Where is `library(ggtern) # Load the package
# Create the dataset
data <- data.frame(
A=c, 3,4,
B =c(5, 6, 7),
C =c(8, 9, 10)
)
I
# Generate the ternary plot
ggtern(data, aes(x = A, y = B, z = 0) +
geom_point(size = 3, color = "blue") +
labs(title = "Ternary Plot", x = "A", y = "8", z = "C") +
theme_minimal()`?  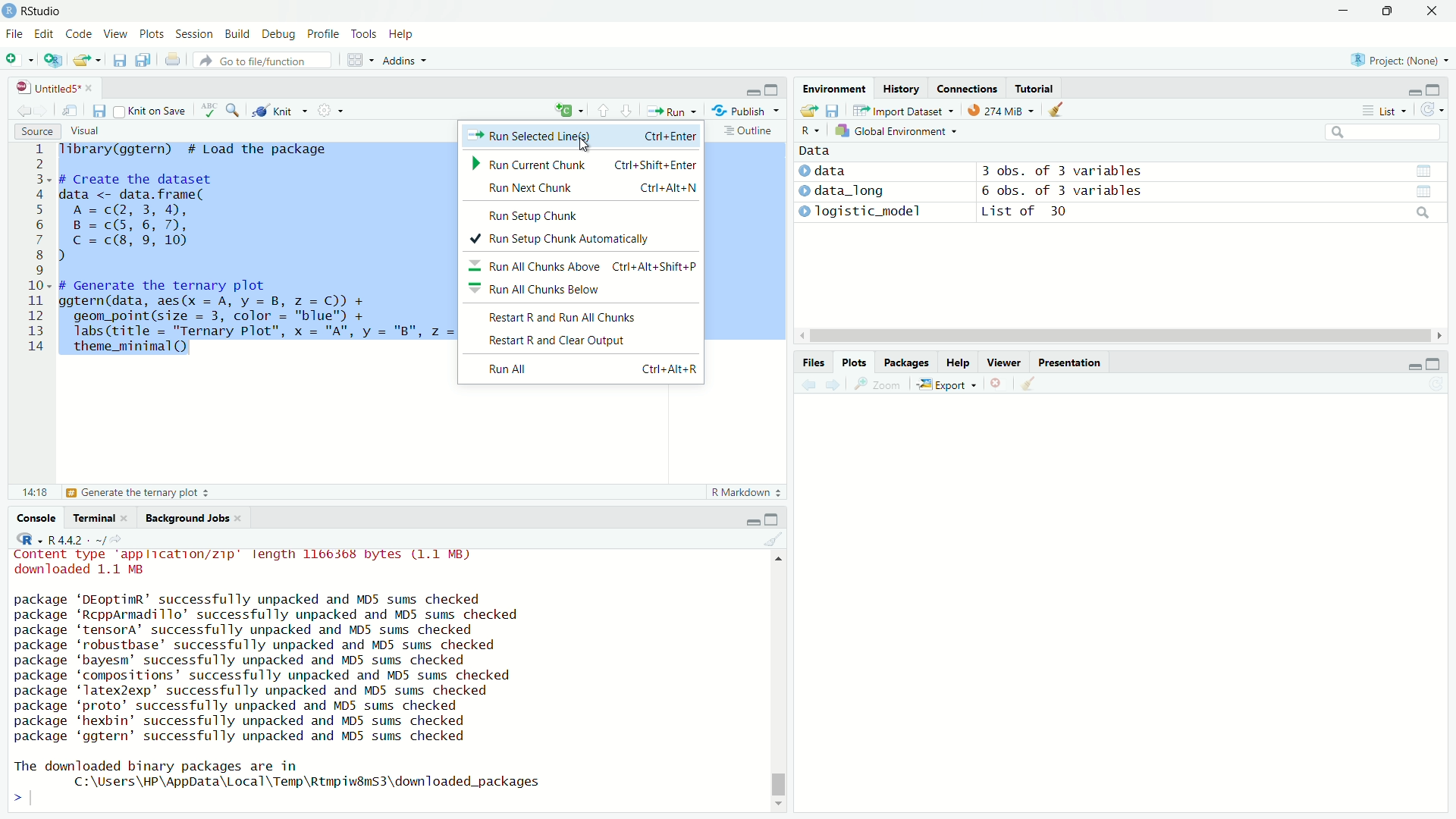 library(ggtern) # Load the package
# Create the dataset
data <- data.frame(
A=c, 3,4,
B =c(5, 6, 7),
C =c(8, 9, 10)
)
I
# Generate the ternary plot
ggtern(data, aes(x = A, y = B, z = 0) +
geom_point(size = 3, color = "blue") +
labs(title = "Ternary Plot", x = "A", y = "8", z = "C") +
theme_minimal() is located at coordinates (257, 256).